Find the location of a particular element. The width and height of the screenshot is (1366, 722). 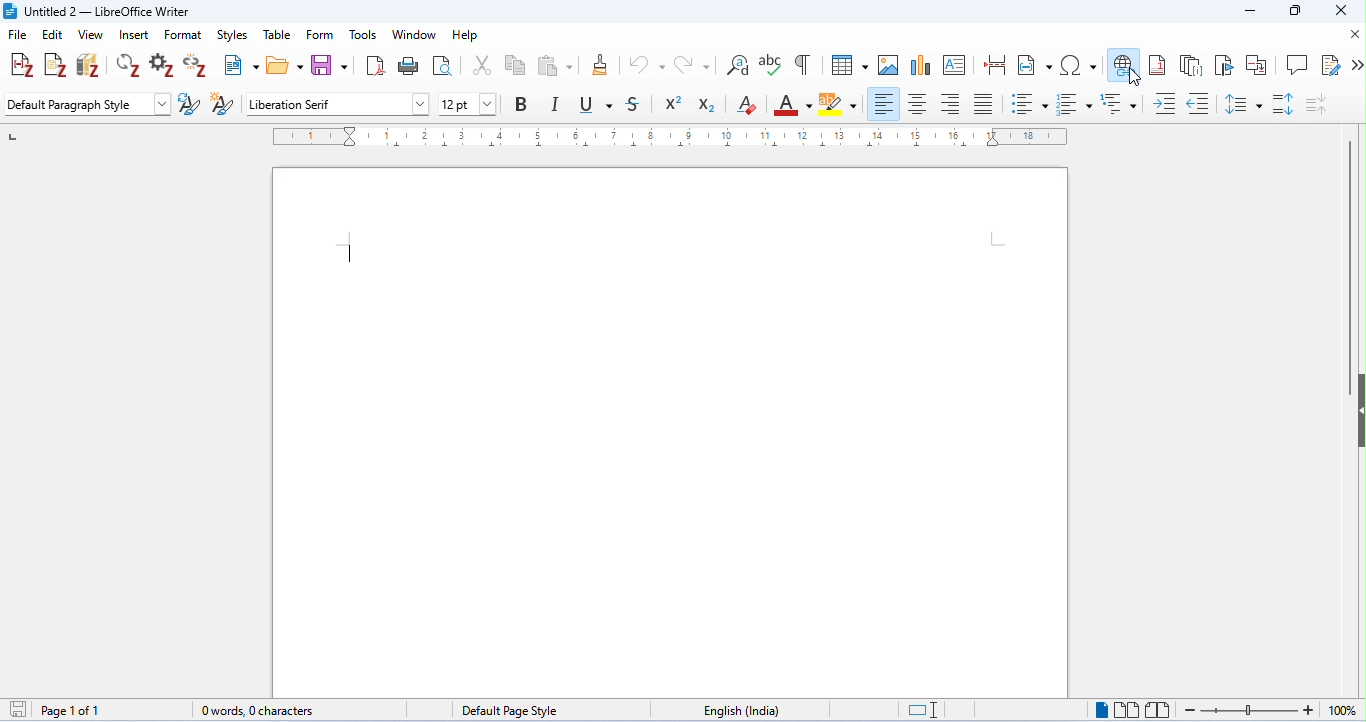

vertical scroll bar is located at coordinates (1347, 268).